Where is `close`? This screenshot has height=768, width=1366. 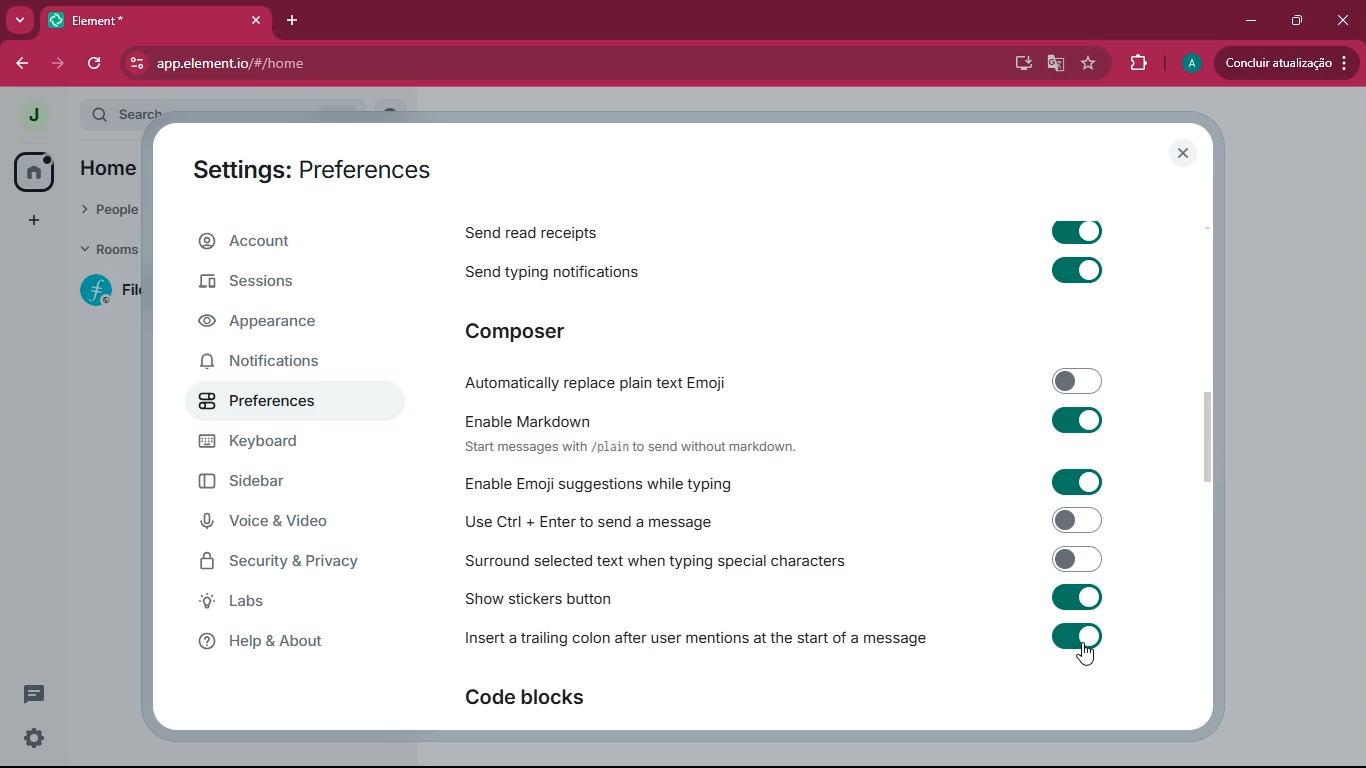 close is located at coordinates (1345, 21).